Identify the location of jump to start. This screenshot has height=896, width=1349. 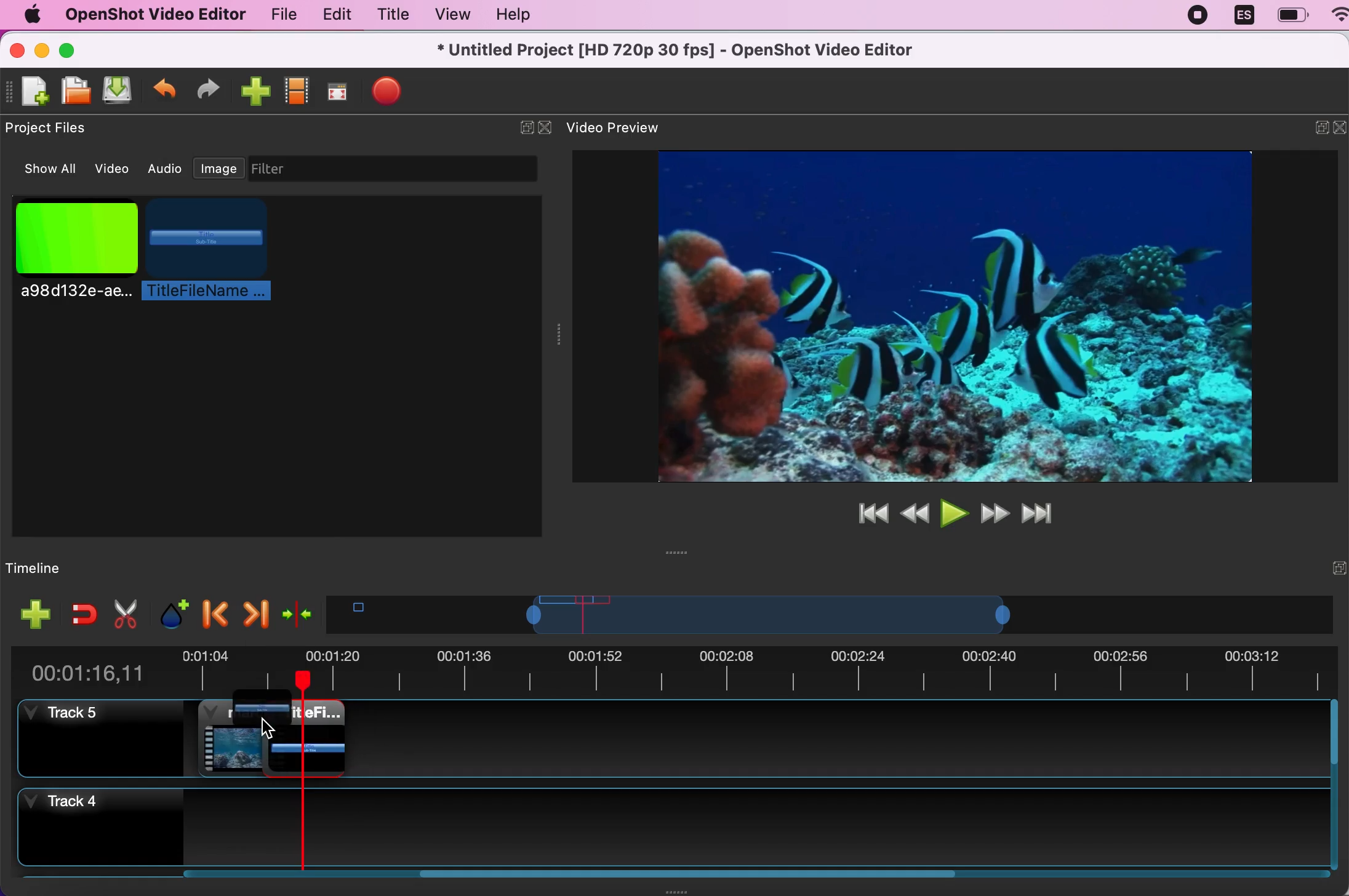
(869, 513).